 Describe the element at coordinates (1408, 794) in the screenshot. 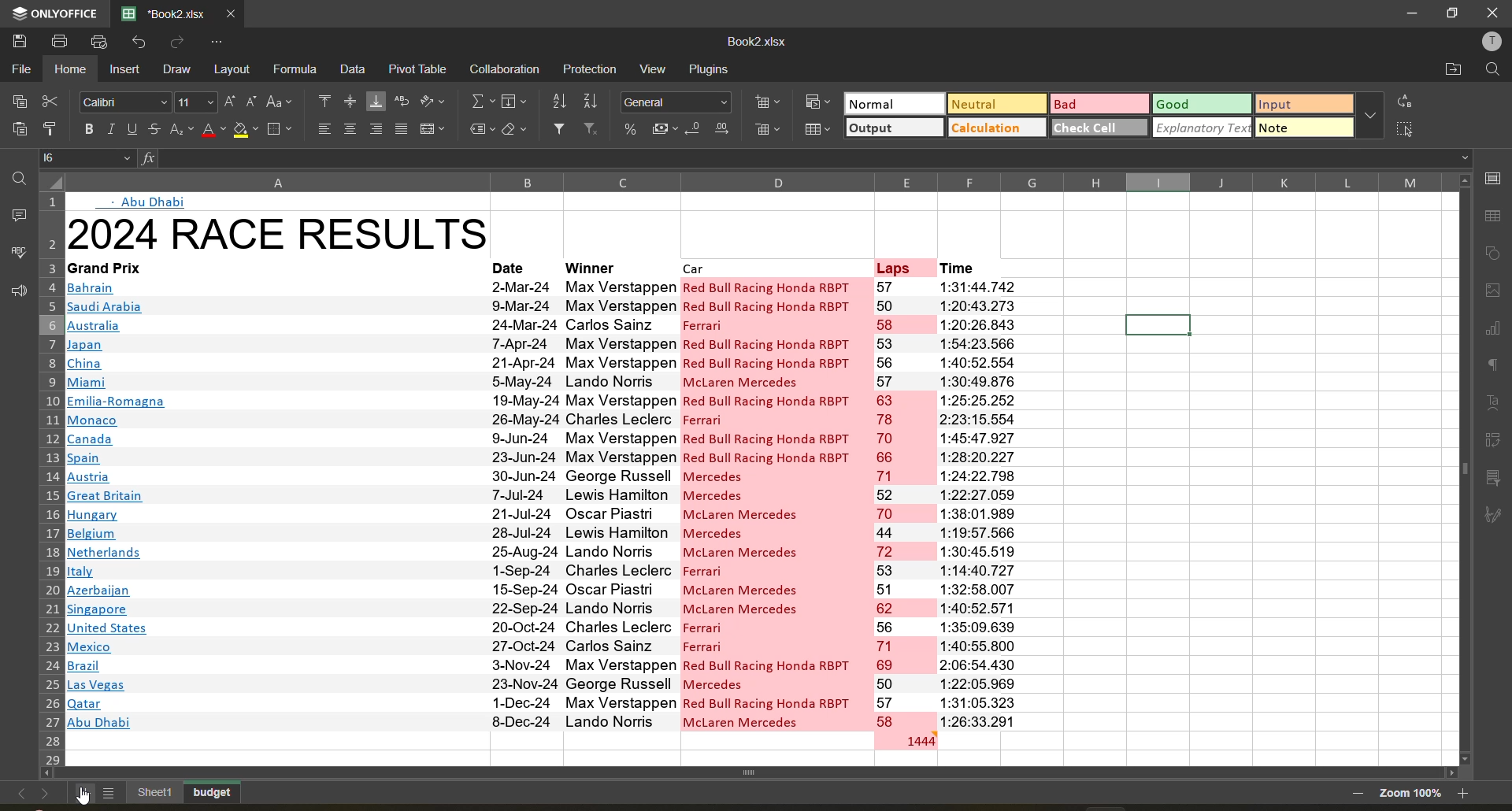

I see `zoom factor` at that location.